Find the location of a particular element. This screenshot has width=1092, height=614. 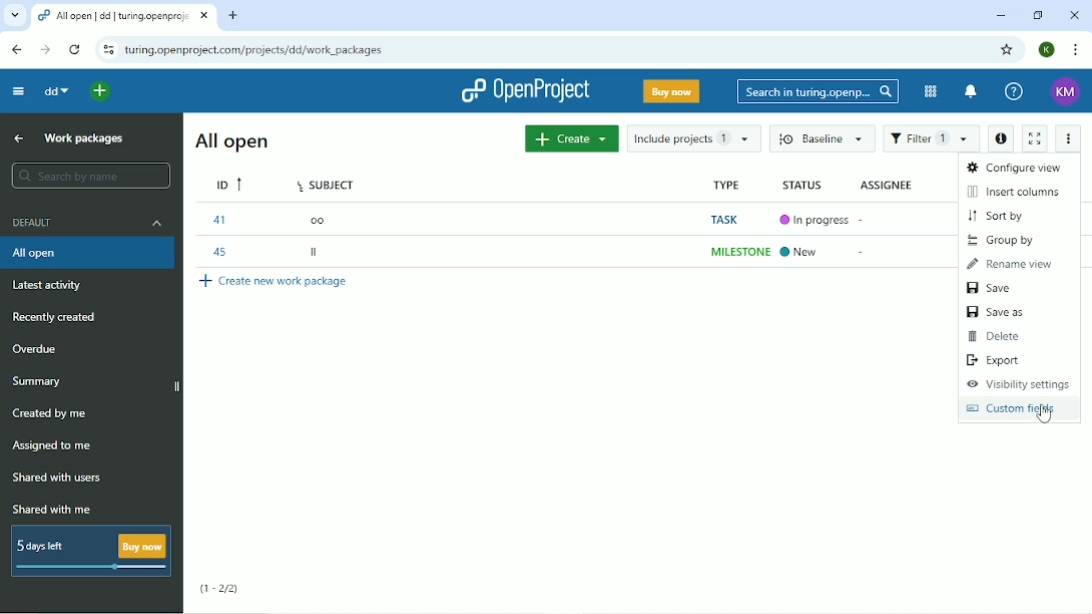

Buy now is located at coordinates (671, 91).